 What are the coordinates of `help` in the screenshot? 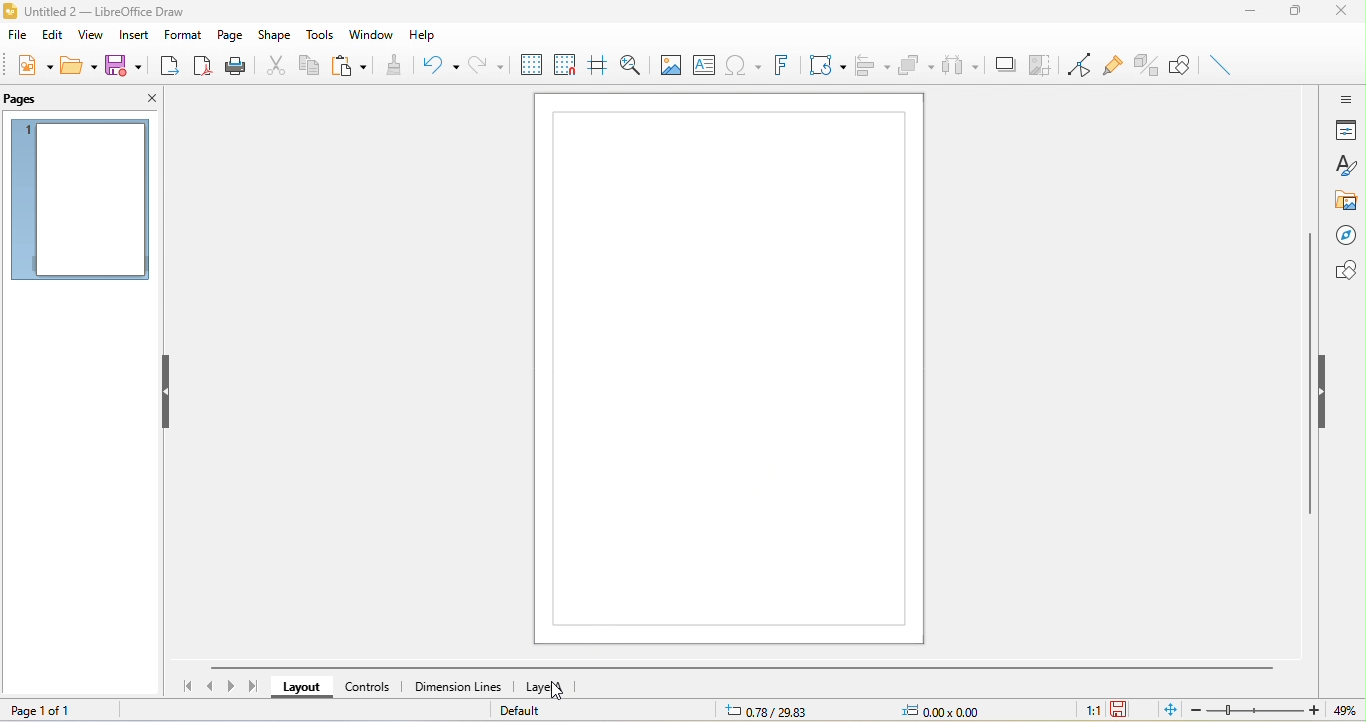 It's located at (422, 34).